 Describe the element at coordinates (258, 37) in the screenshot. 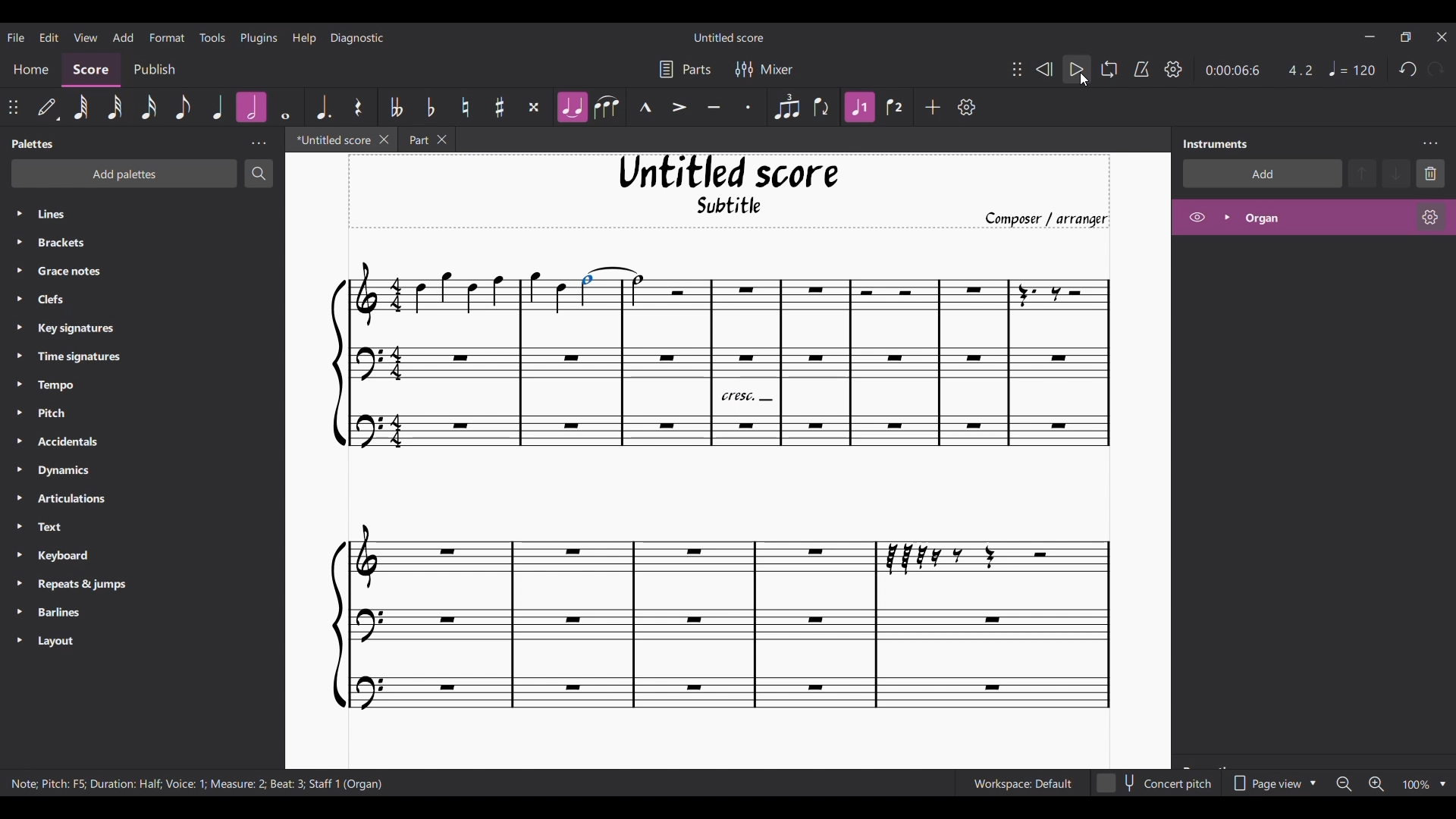

I see `Plugins menu` at that location.